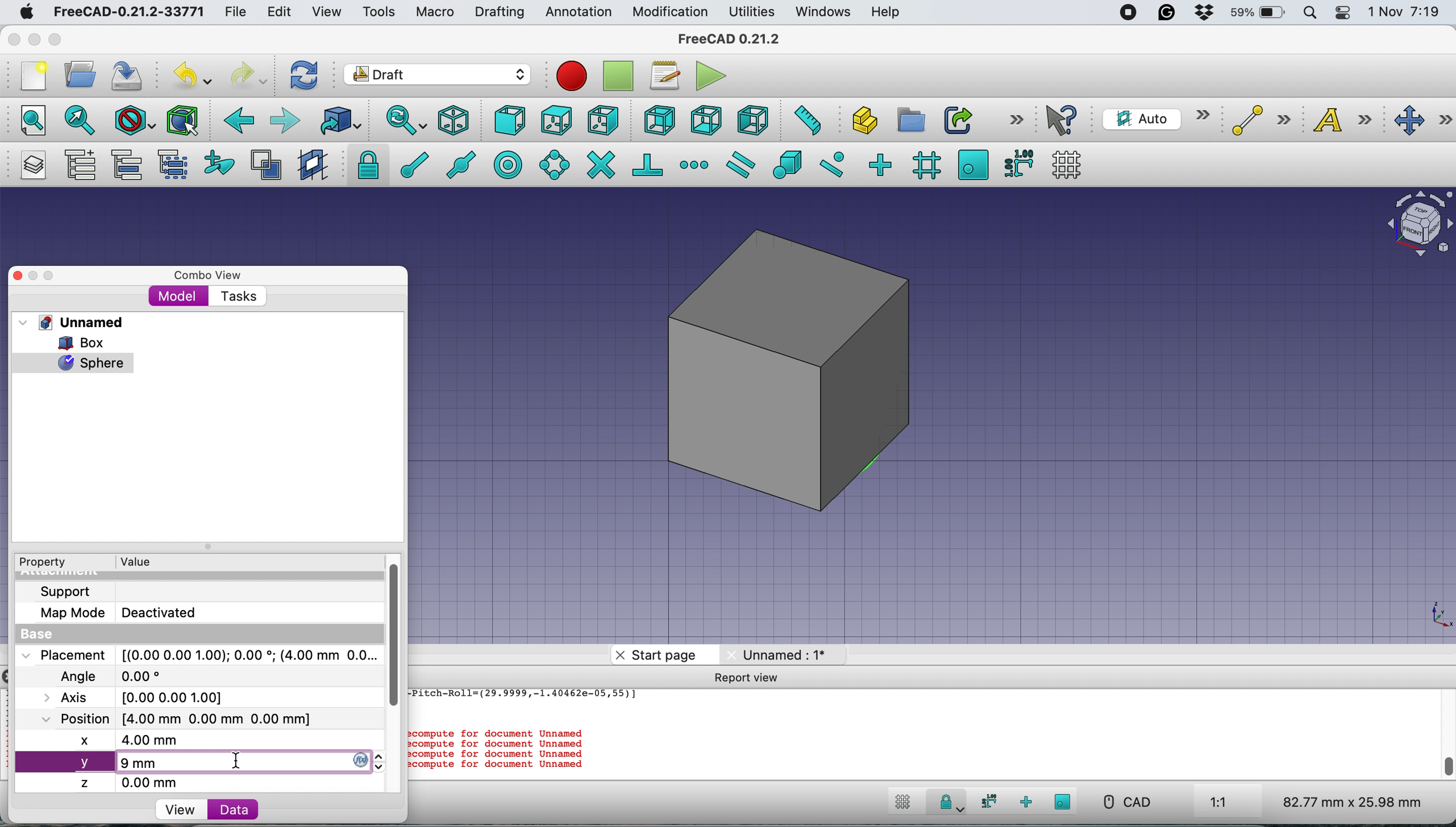 The height and width of the screenshot is (827, 1456). Describe the element at coordinates (331, 12) in the screenshot. I see `view` at that location.